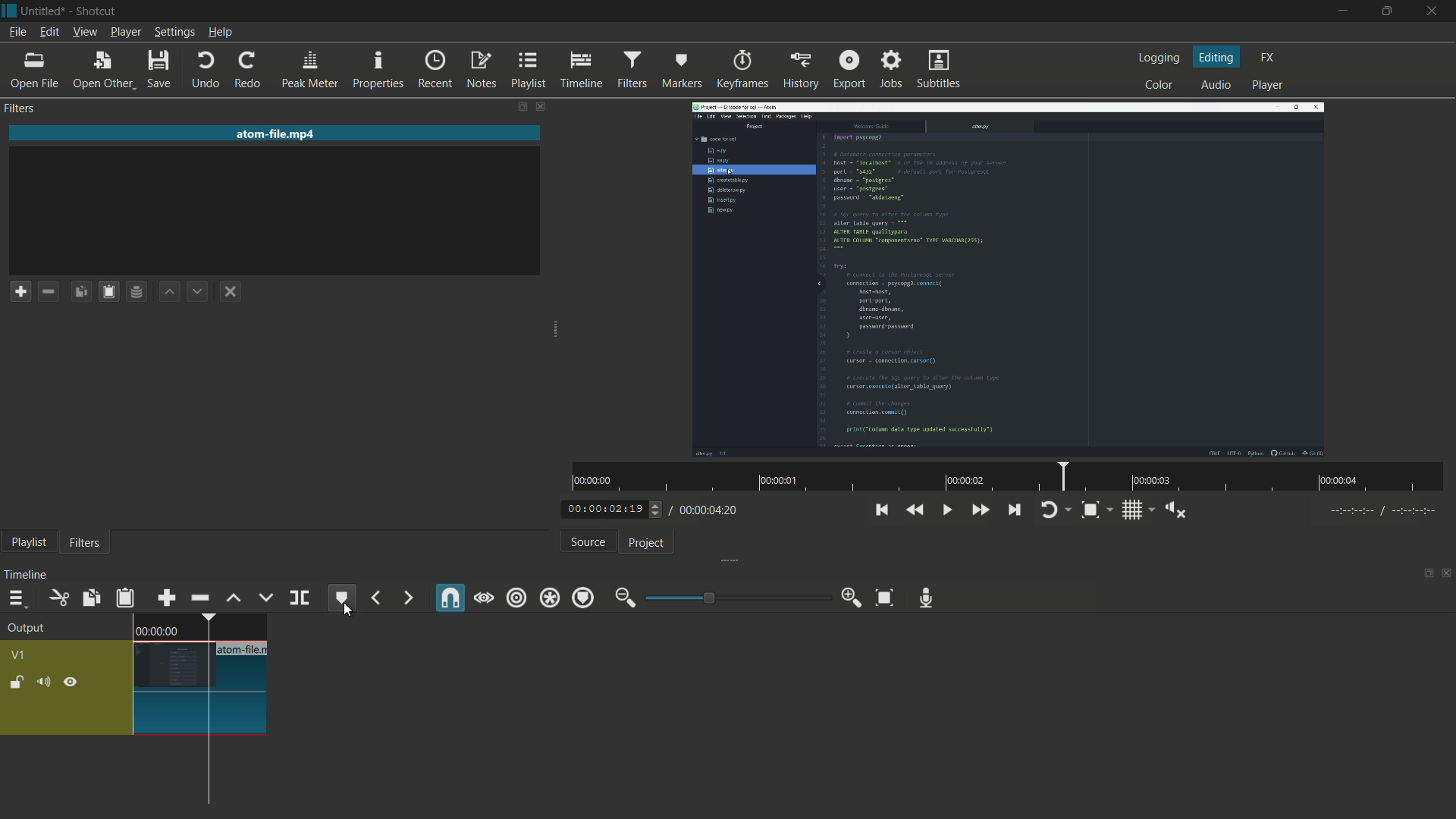 The height and width of the screenshot is (819, 1456). Describe the element at coordinates (1219, 59) in the screenshot. I see `editing` at that location.